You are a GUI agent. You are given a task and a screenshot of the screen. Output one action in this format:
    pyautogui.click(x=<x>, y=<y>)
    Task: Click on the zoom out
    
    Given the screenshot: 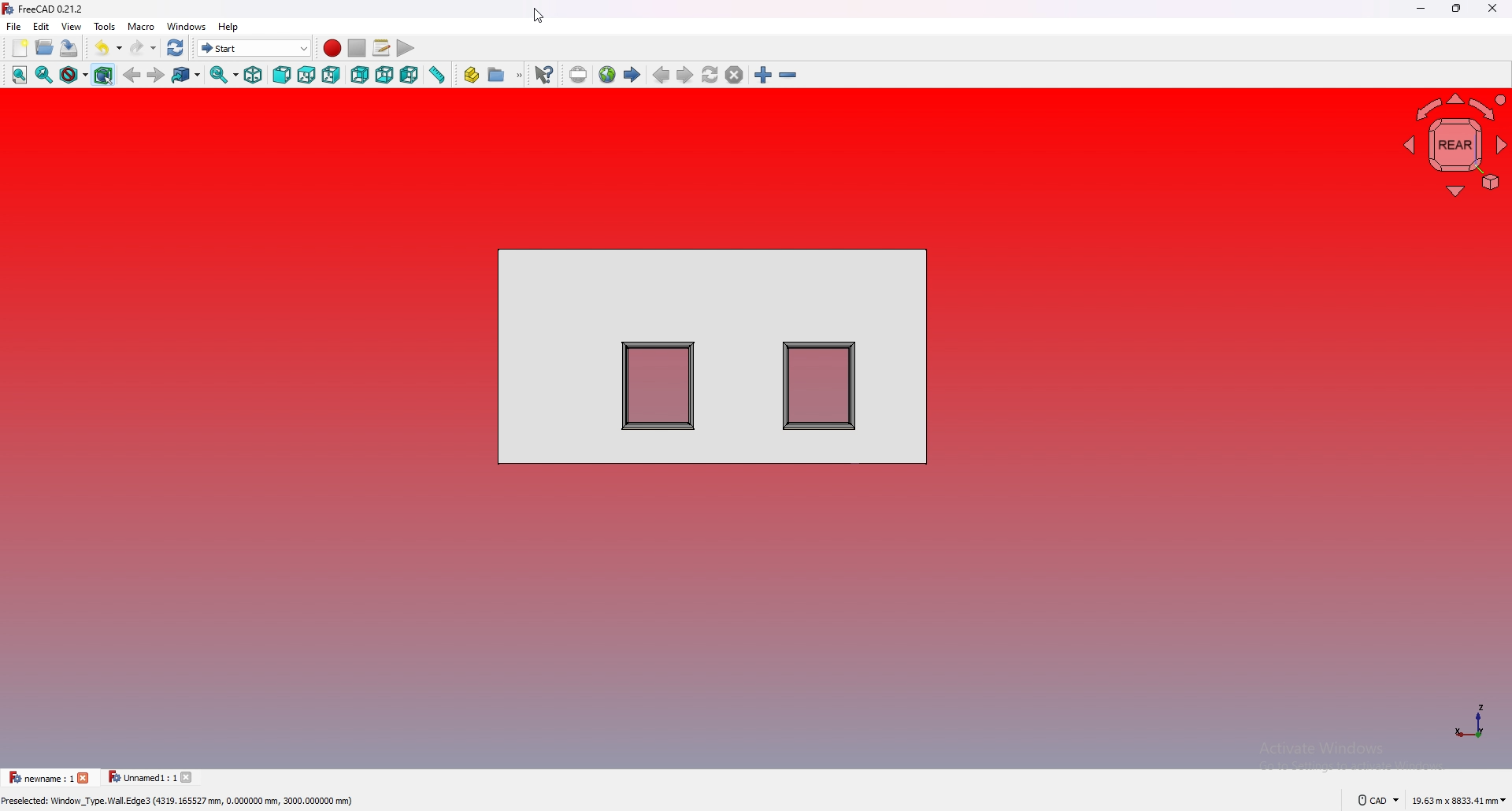 What is the action you would take?
    pyautogui.click(x=788, y=75)
    